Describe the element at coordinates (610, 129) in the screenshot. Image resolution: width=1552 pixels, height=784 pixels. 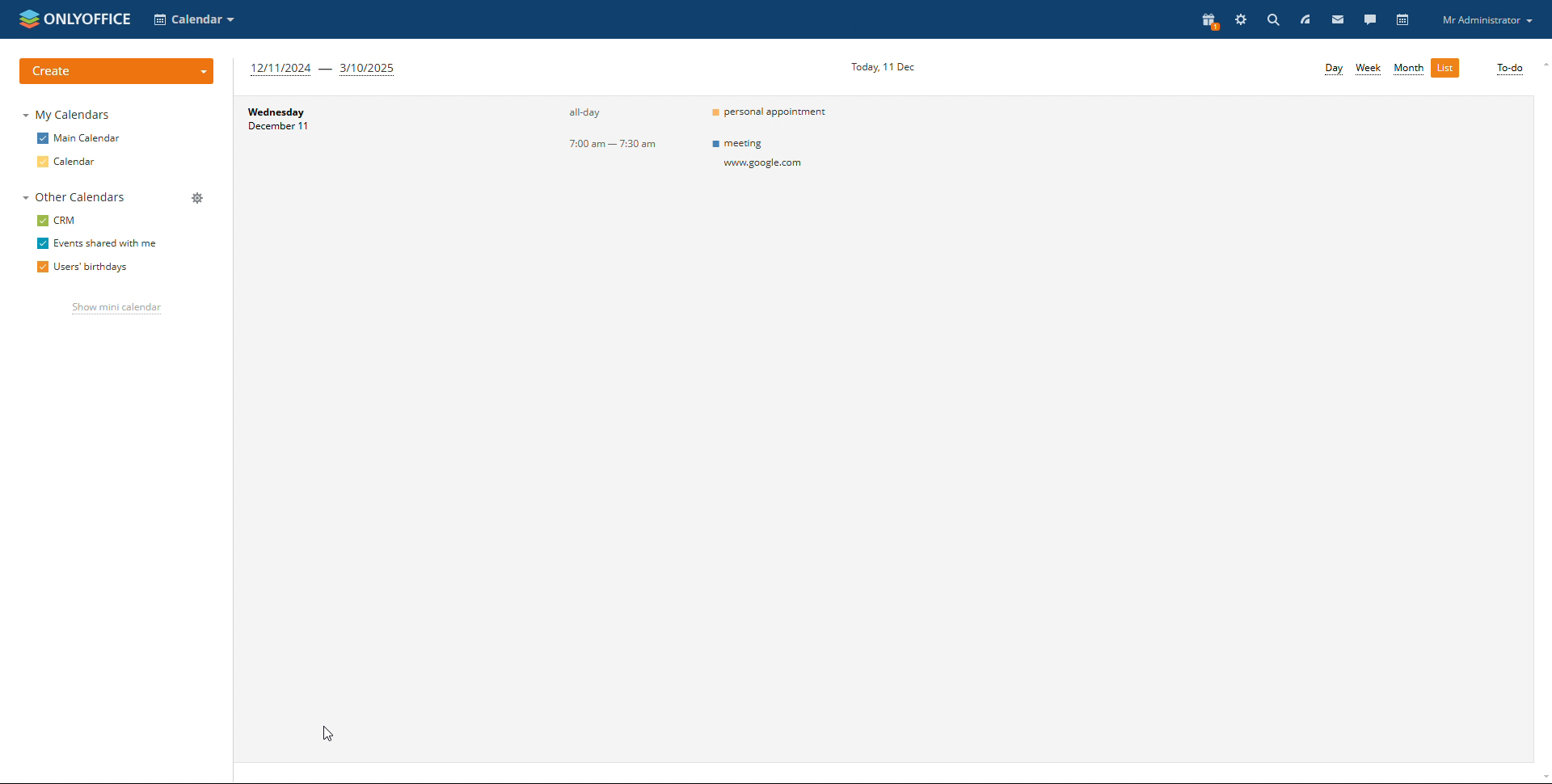
I see `event timings` at that location.